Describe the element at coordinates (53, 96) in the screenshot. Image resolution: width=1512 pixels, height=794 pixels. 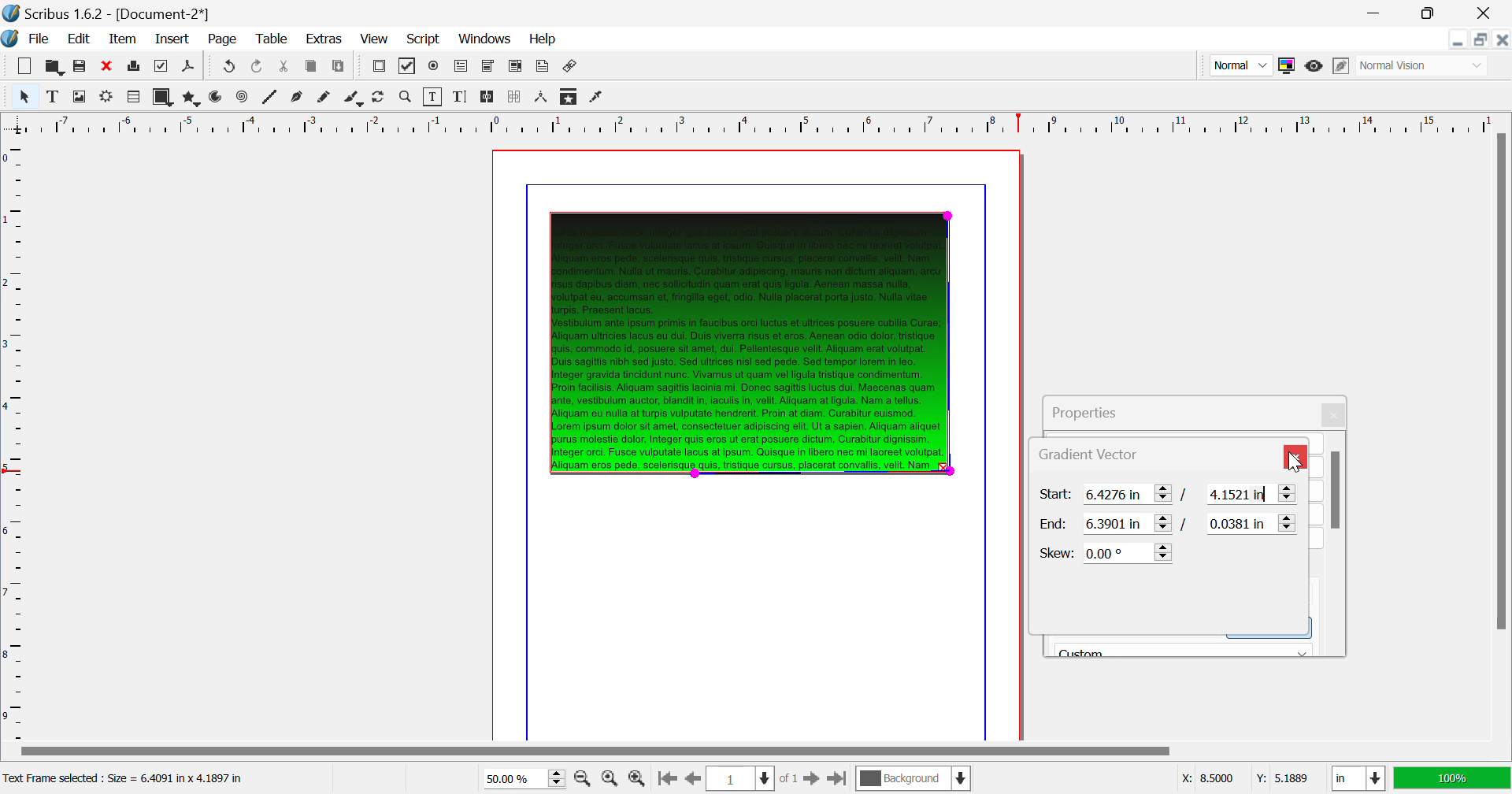
I see `Text Frame` at that location.